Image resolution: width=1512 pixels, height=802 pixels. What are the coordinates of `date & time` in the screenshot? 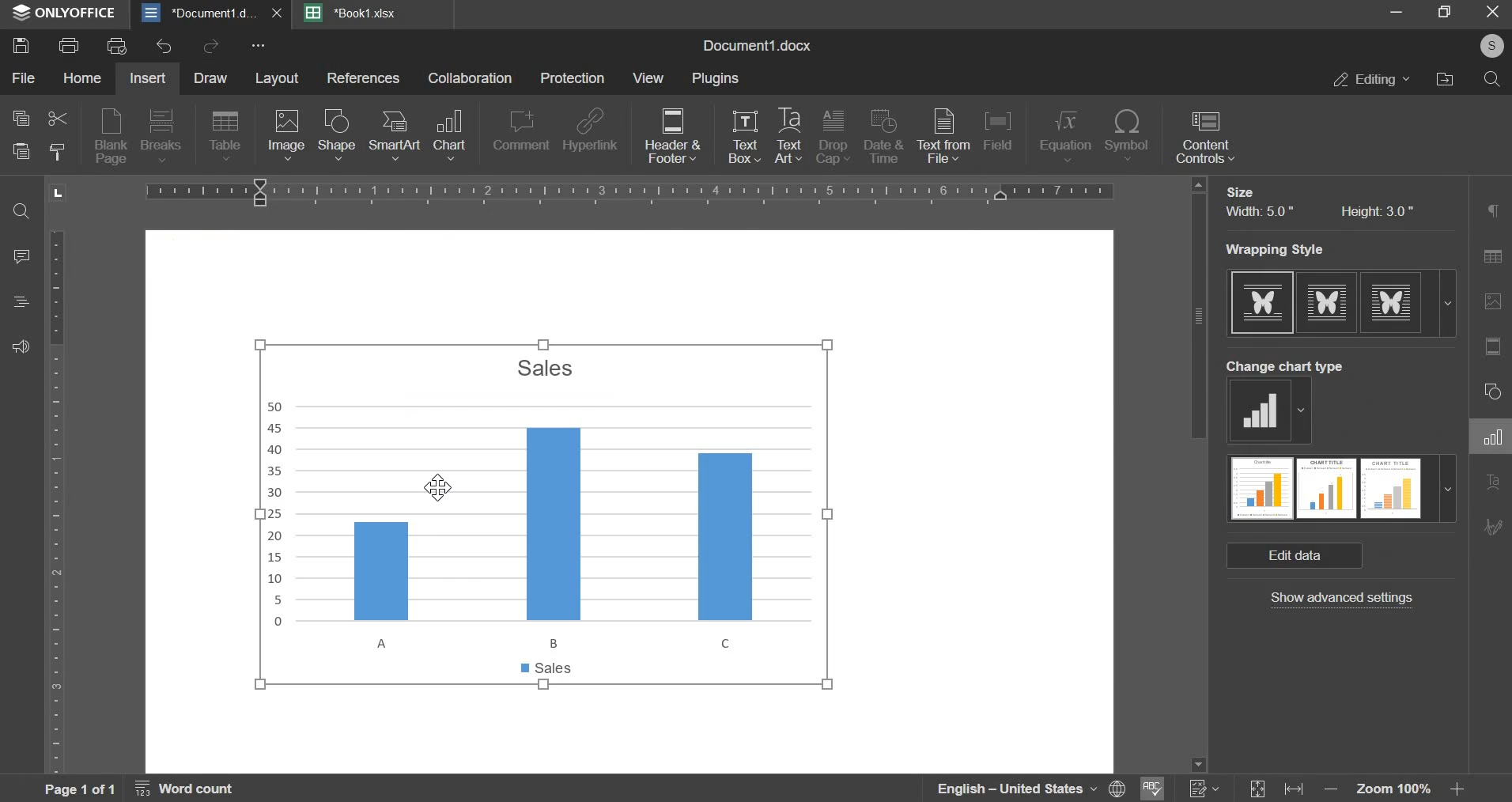 It's located at (885, 138).